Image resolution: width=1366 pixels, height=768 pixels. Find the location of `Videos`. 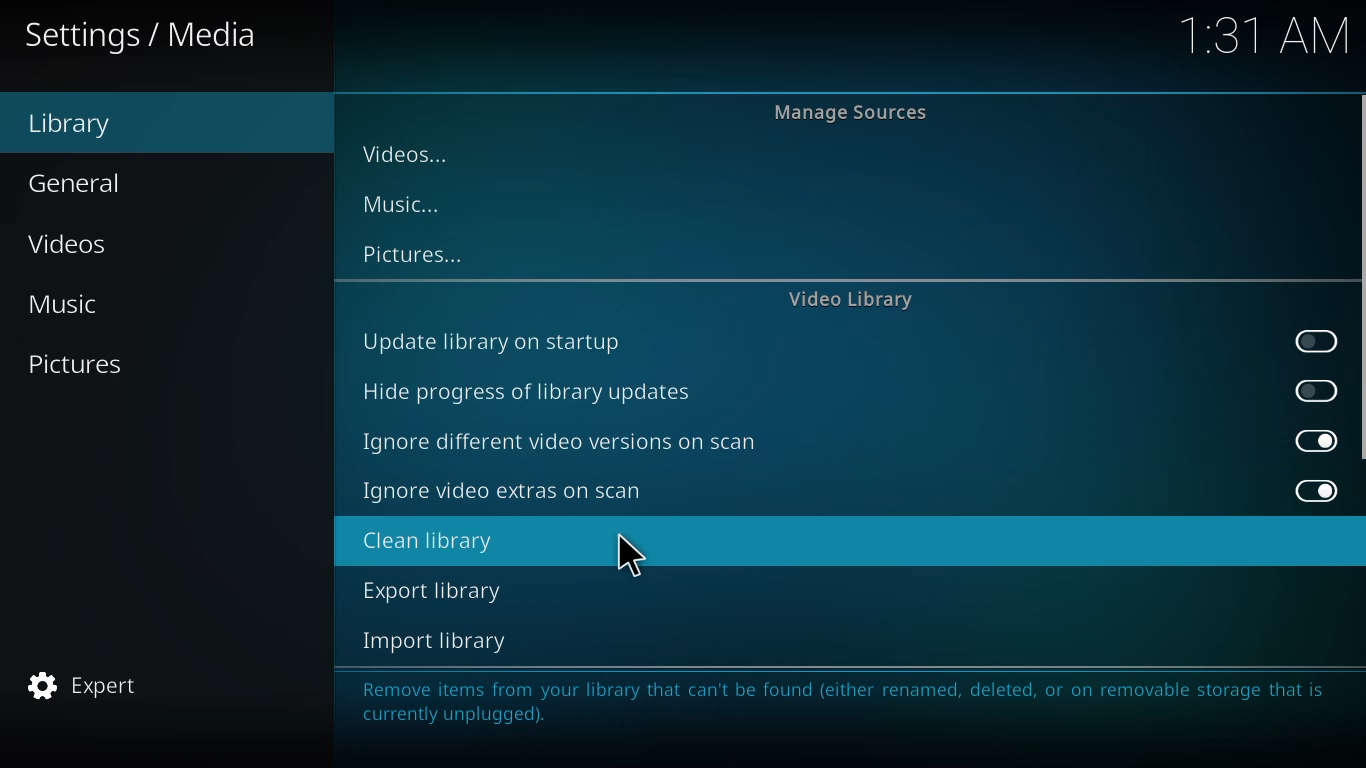

Videos is located at coordinates (65, 245).